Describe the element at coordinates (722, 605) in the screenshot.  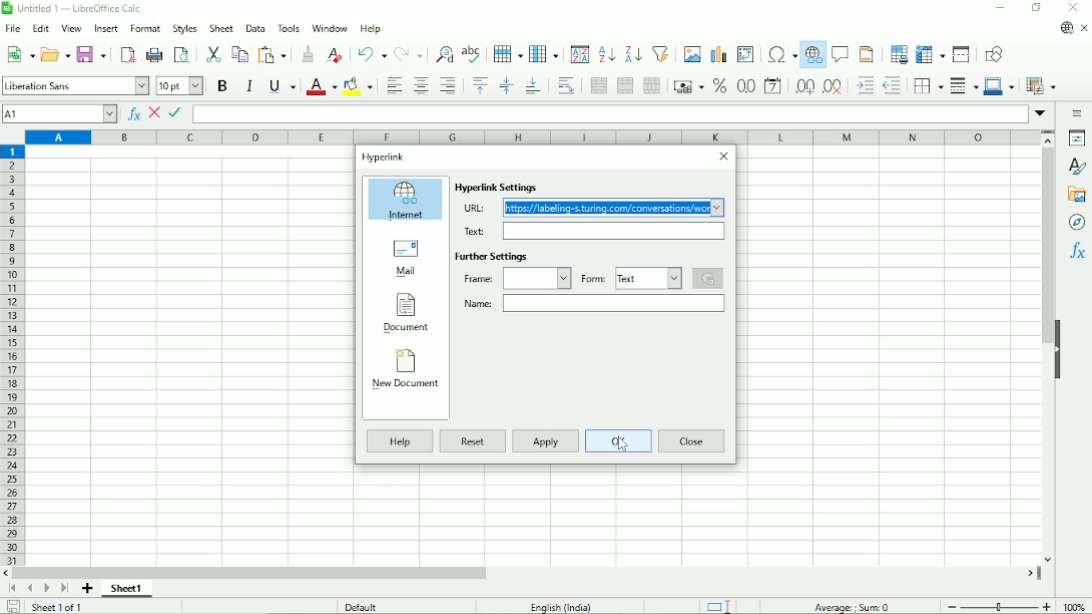
I see `Standard selection` at that location.